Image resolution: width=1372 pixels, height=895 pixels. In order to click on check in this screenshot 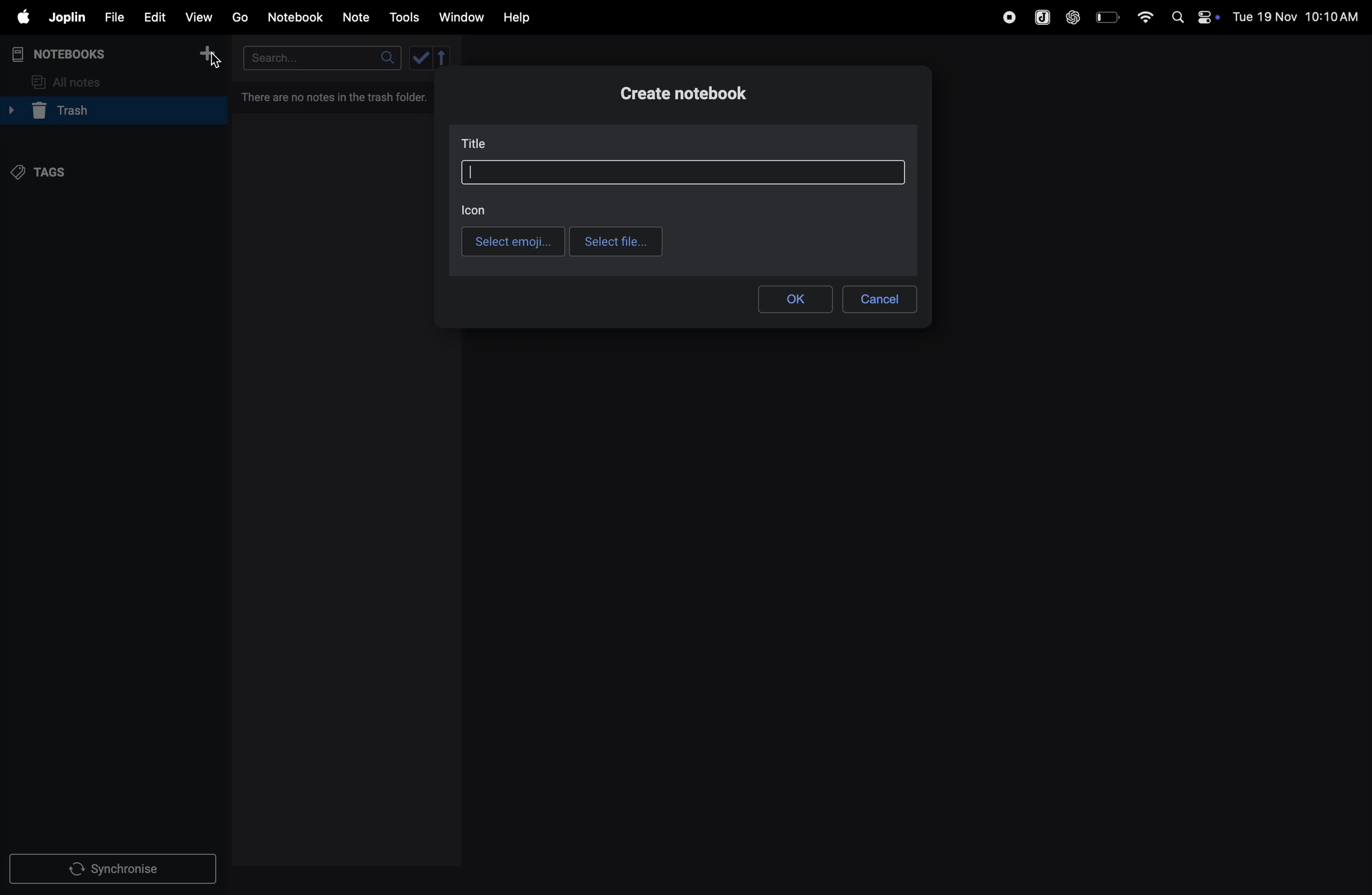, I will do `click(431, 59)`.